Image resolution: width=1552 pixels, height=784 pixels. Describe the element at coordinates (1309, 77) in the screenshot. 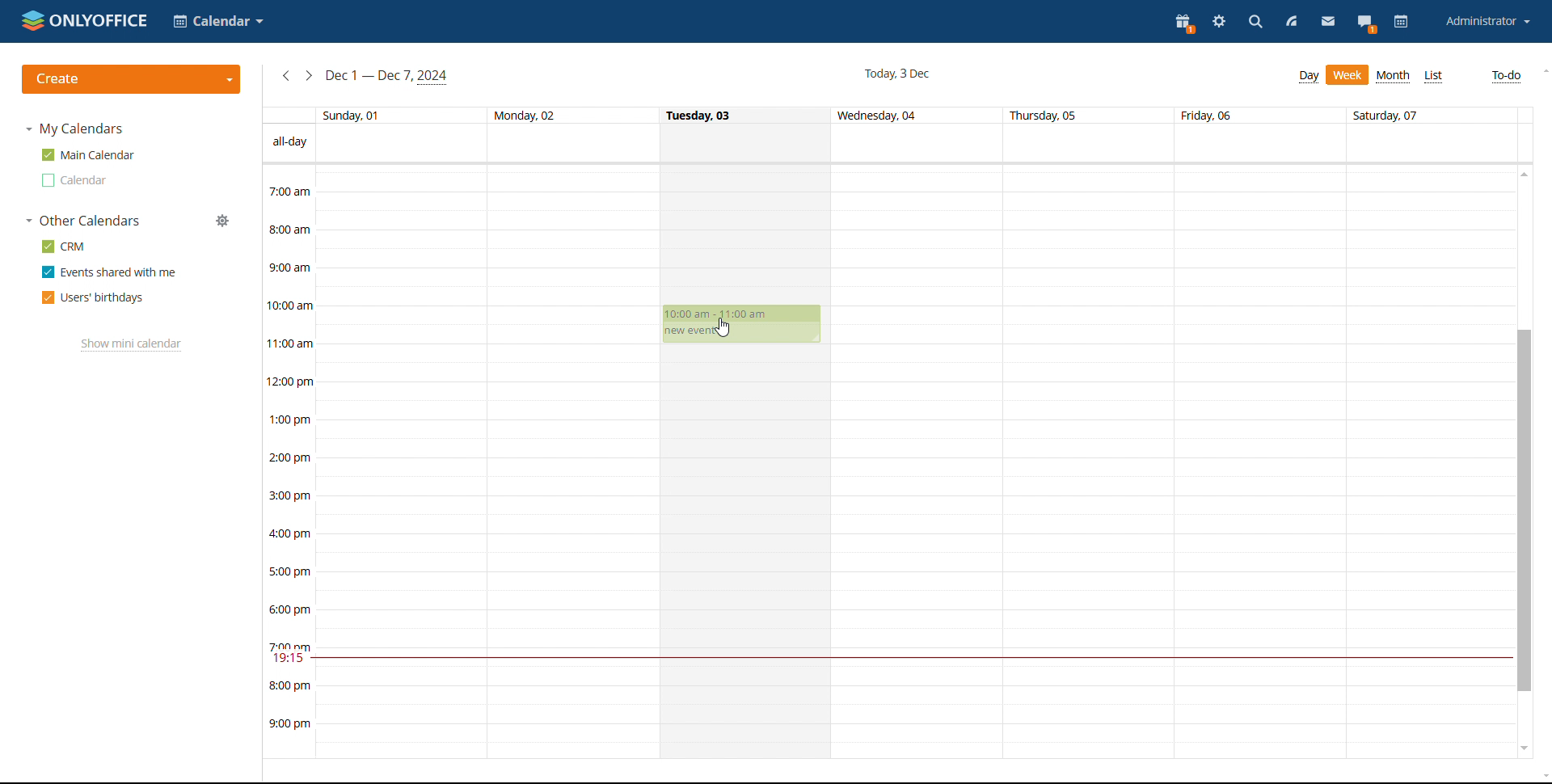

I see `Day` at that location.